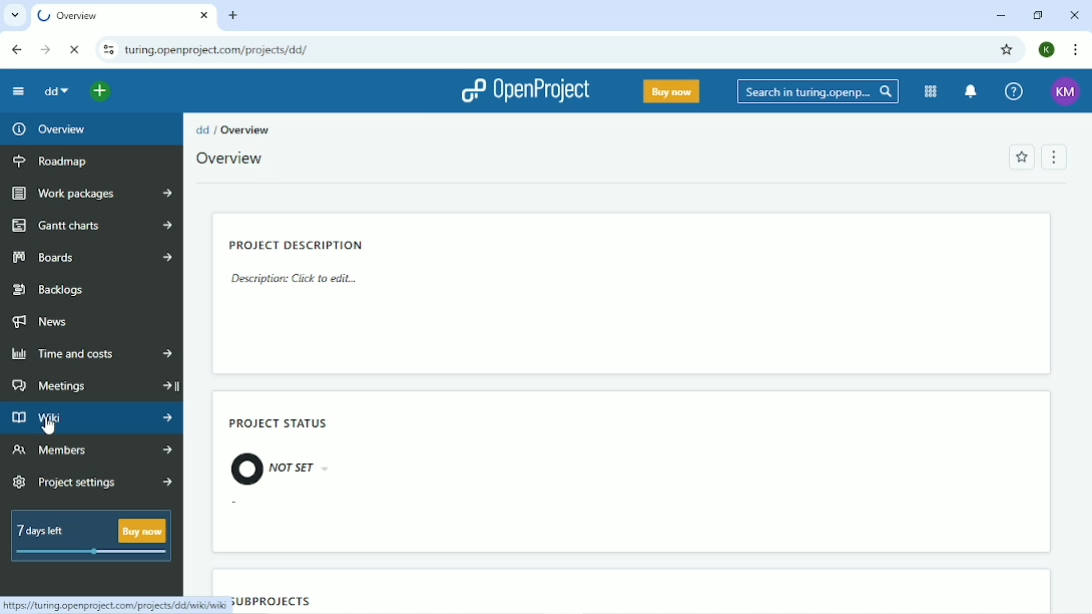 Image resolution: width=1092 pixels, height=614 pixels. I want to click on Customize and control google chrome, so click(1074, 50).